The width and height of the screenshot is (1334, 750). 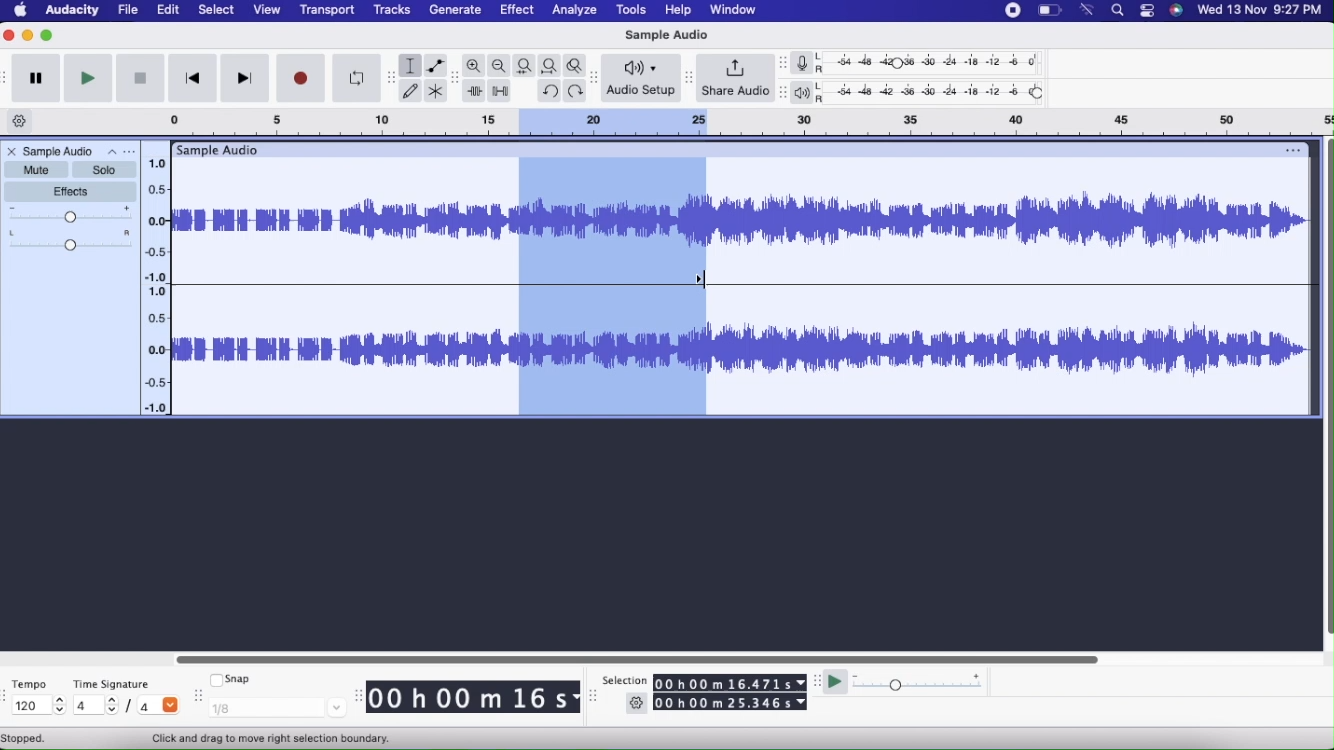 What do you see at coordinates (391, 75) in the screenshot?
I see `move toolbar` at bounding box center [391, 75].